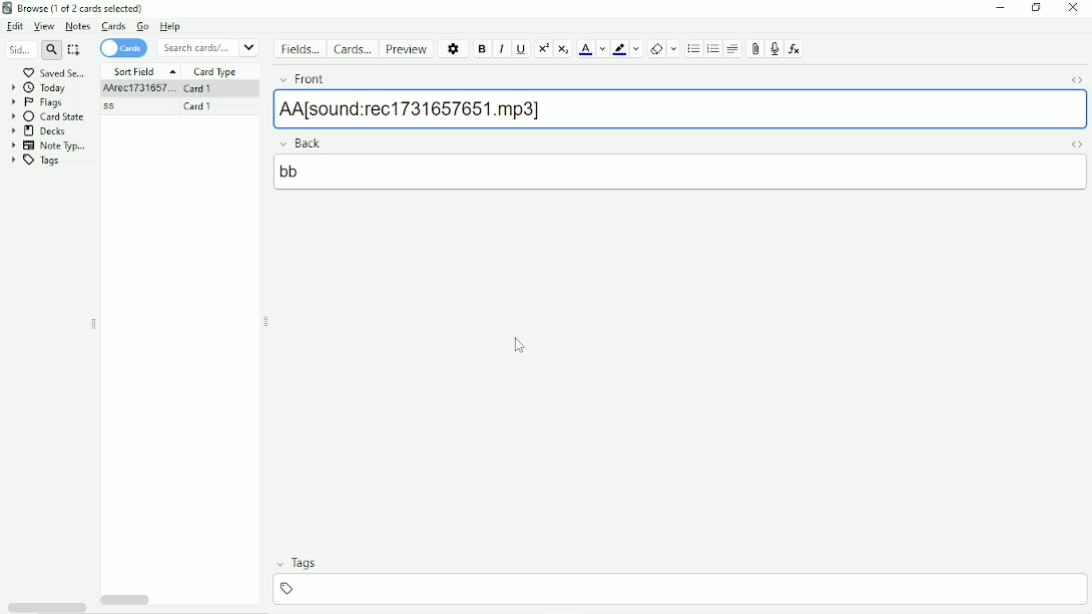 The image size is (1092, 614). I want to click on Card 1, so click(200, 89).